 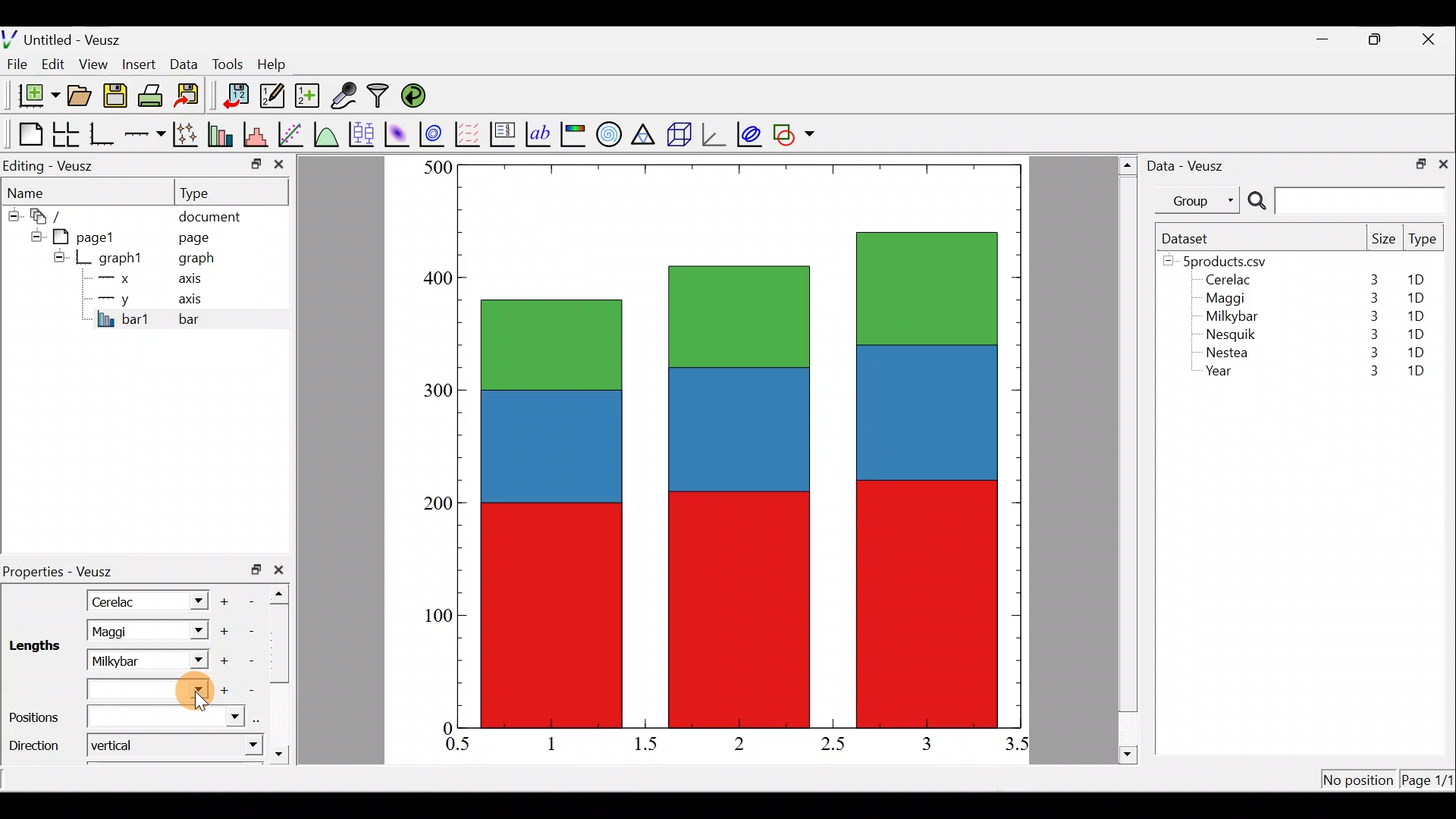 I want to click on 3, so click(x=1373, y=279).